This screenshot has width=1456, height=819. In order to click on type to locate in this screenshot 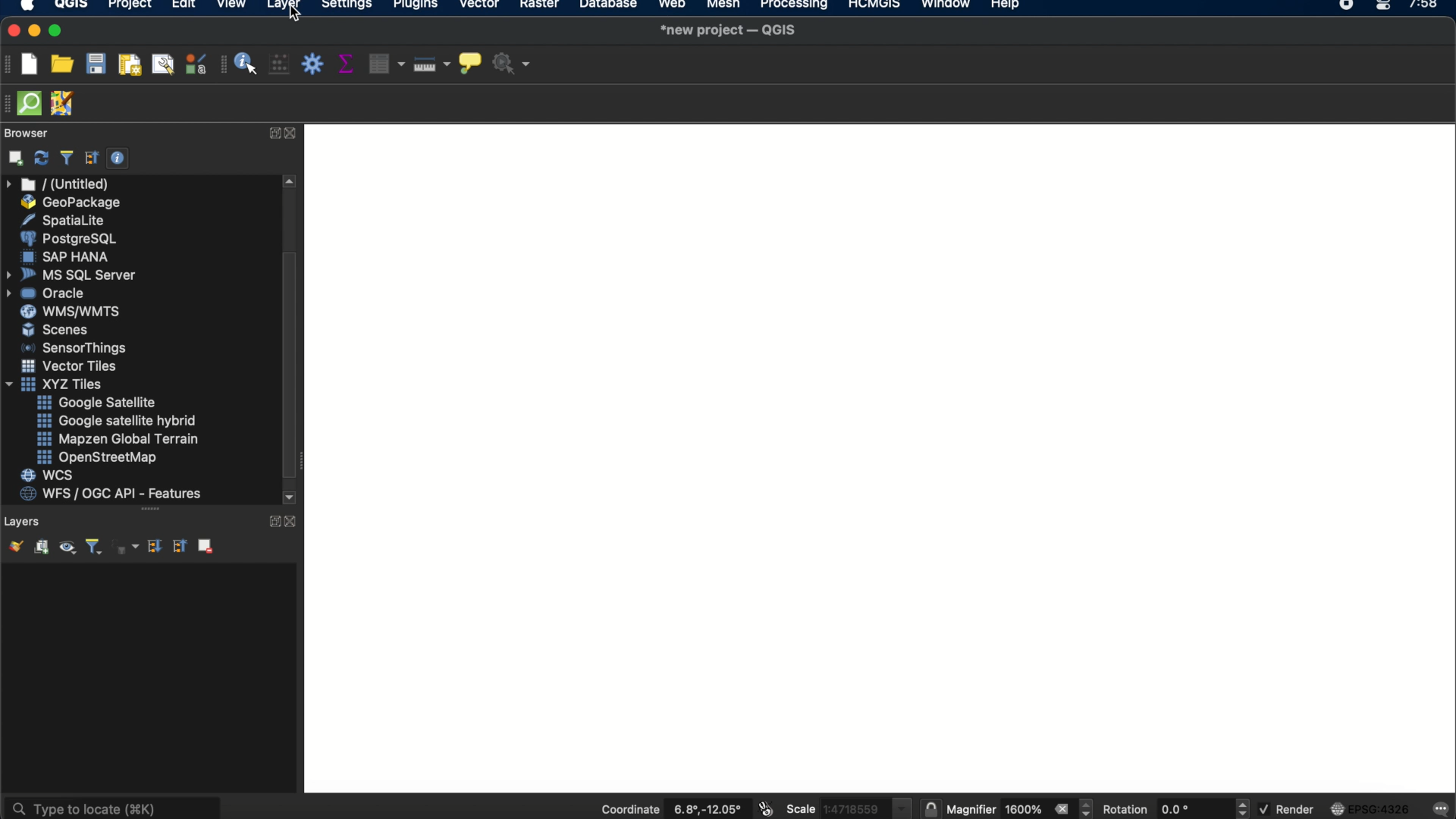, I will do `click(111, 807)`.